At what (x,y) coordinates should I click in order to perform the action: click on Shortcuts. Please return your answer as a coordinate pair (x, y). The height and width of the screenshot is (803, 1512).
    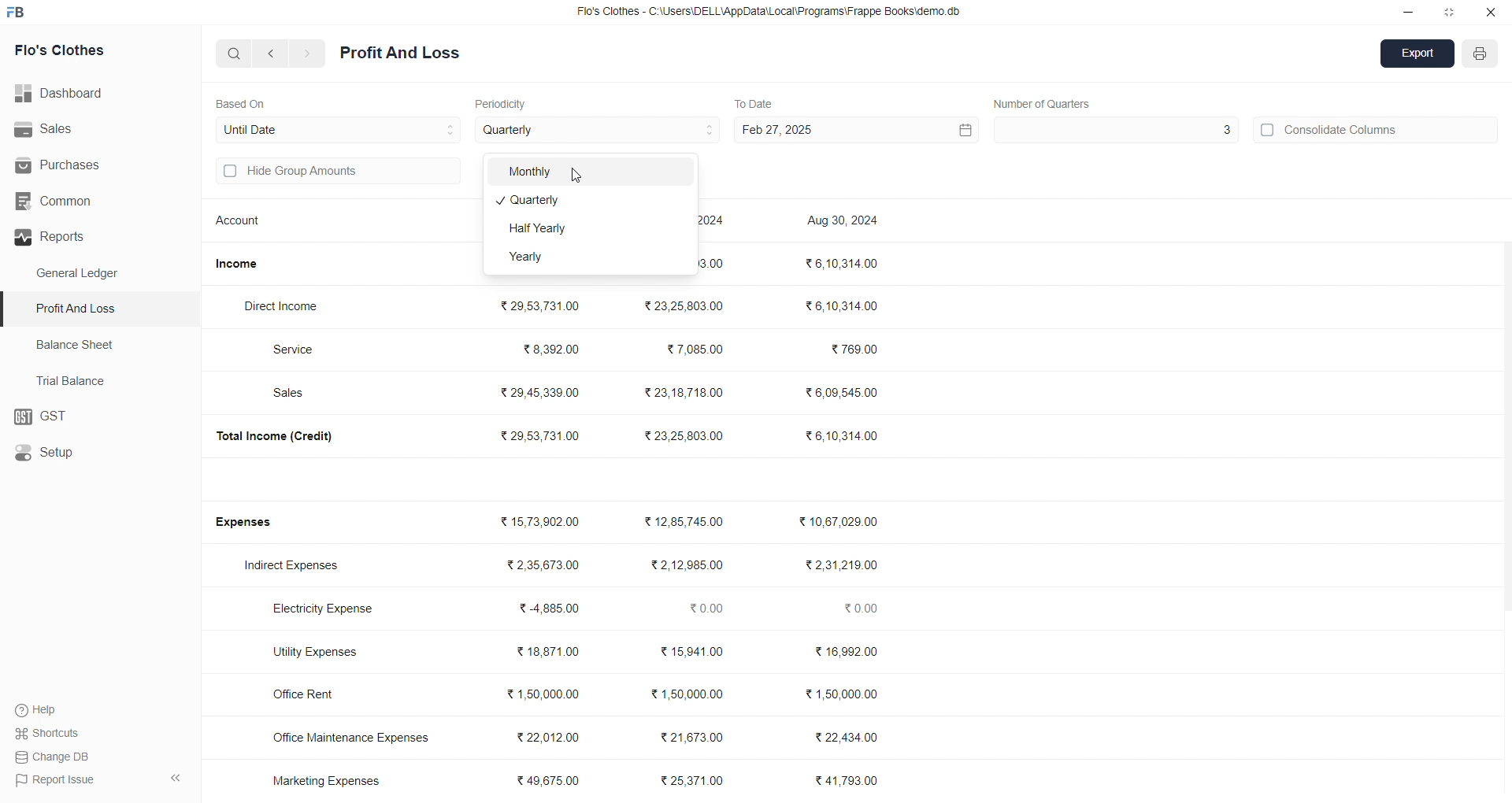
    Looking at the image, I should click on (52, 732).